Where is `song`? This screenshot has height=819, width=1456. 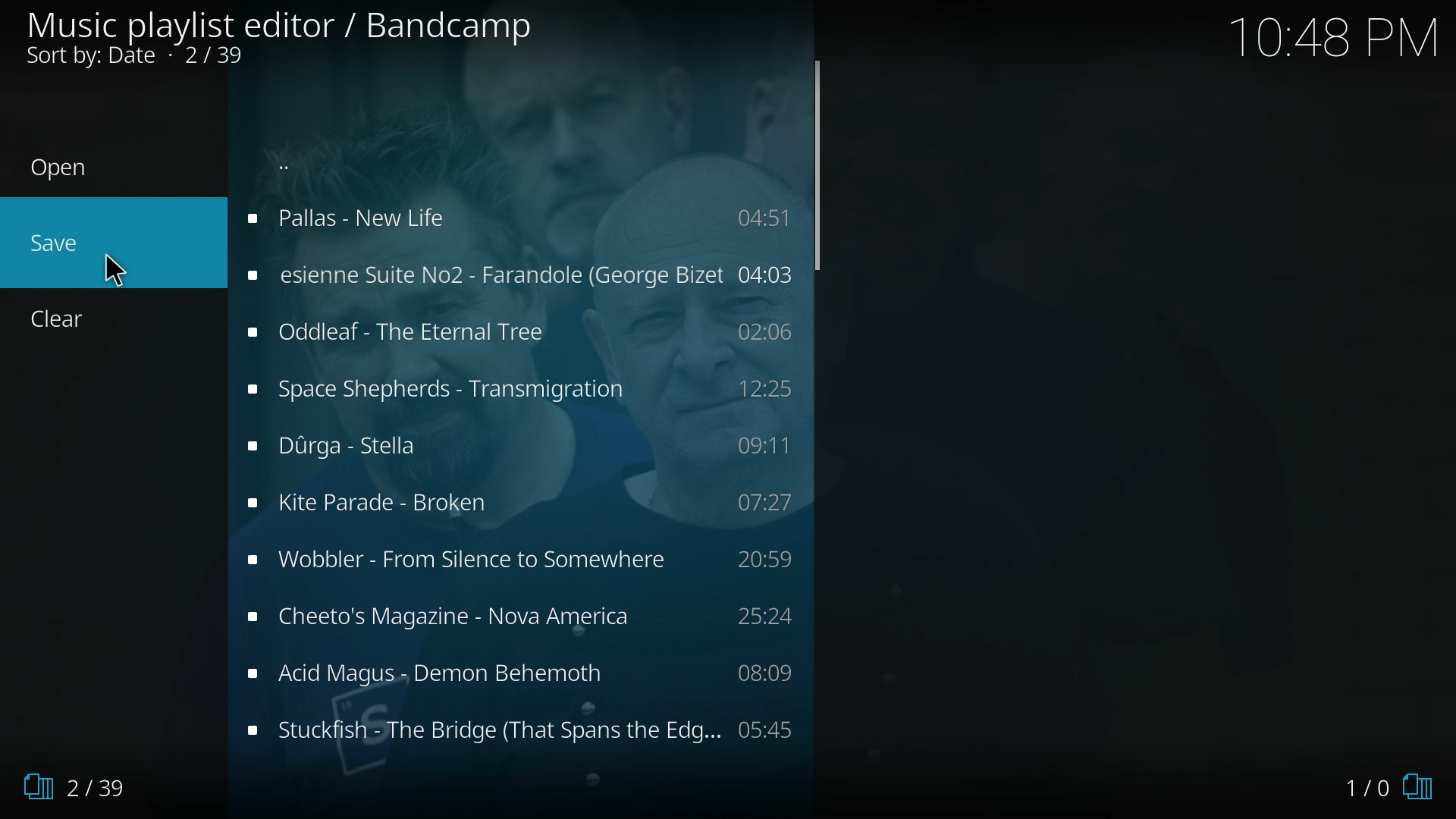
song is located at coordinates (516, 218).